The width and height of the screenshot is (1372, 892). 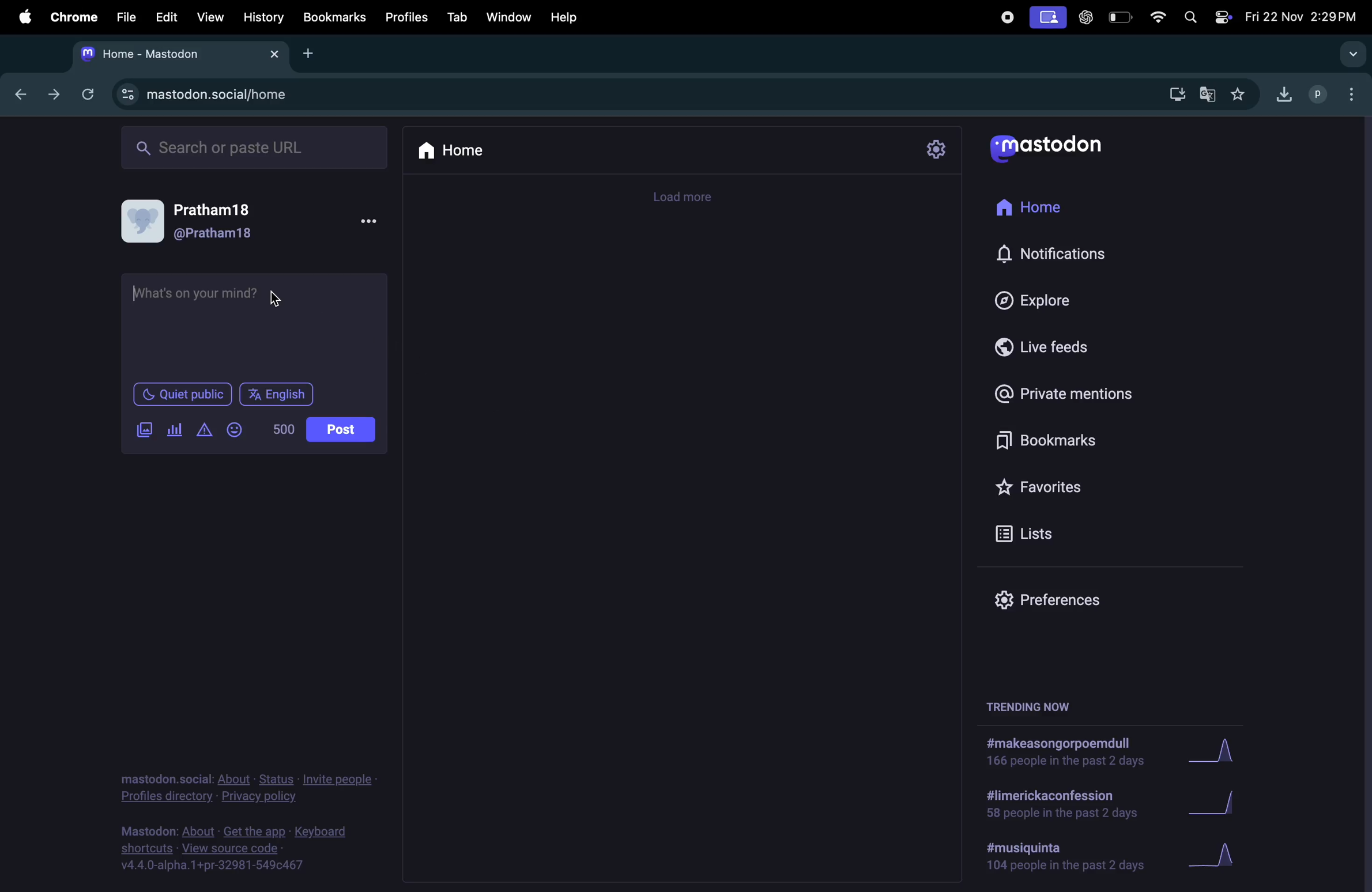 What do you see at coordinates (249, 786) in the screenshot?
I see `privacy and policy` at bounding box center [249, 786].